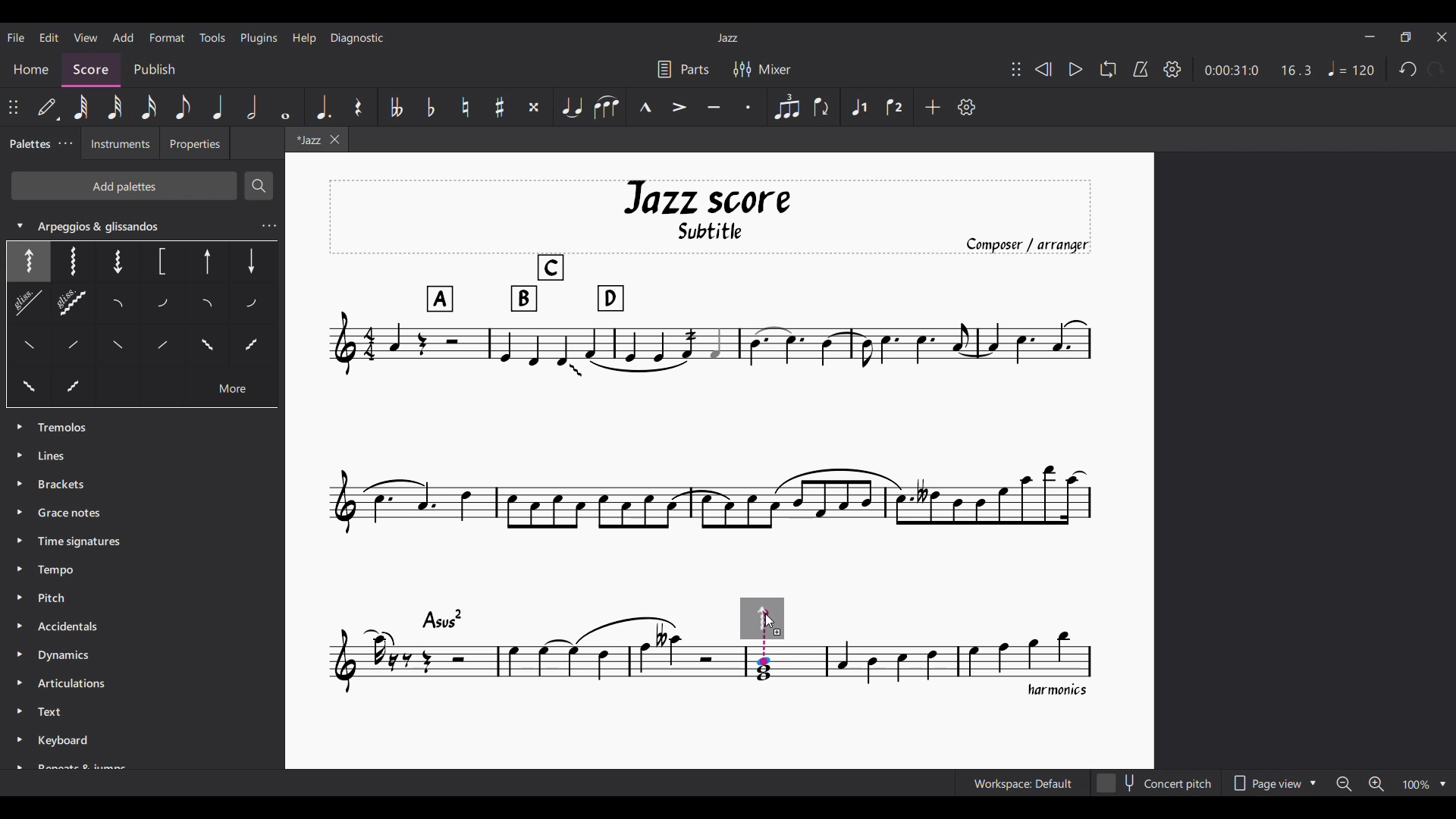 This screenshot has height=819, width=1456. What do you see at coordinates (165, 262) in the screenshot?
I see `` at bounding box center [165, 262].